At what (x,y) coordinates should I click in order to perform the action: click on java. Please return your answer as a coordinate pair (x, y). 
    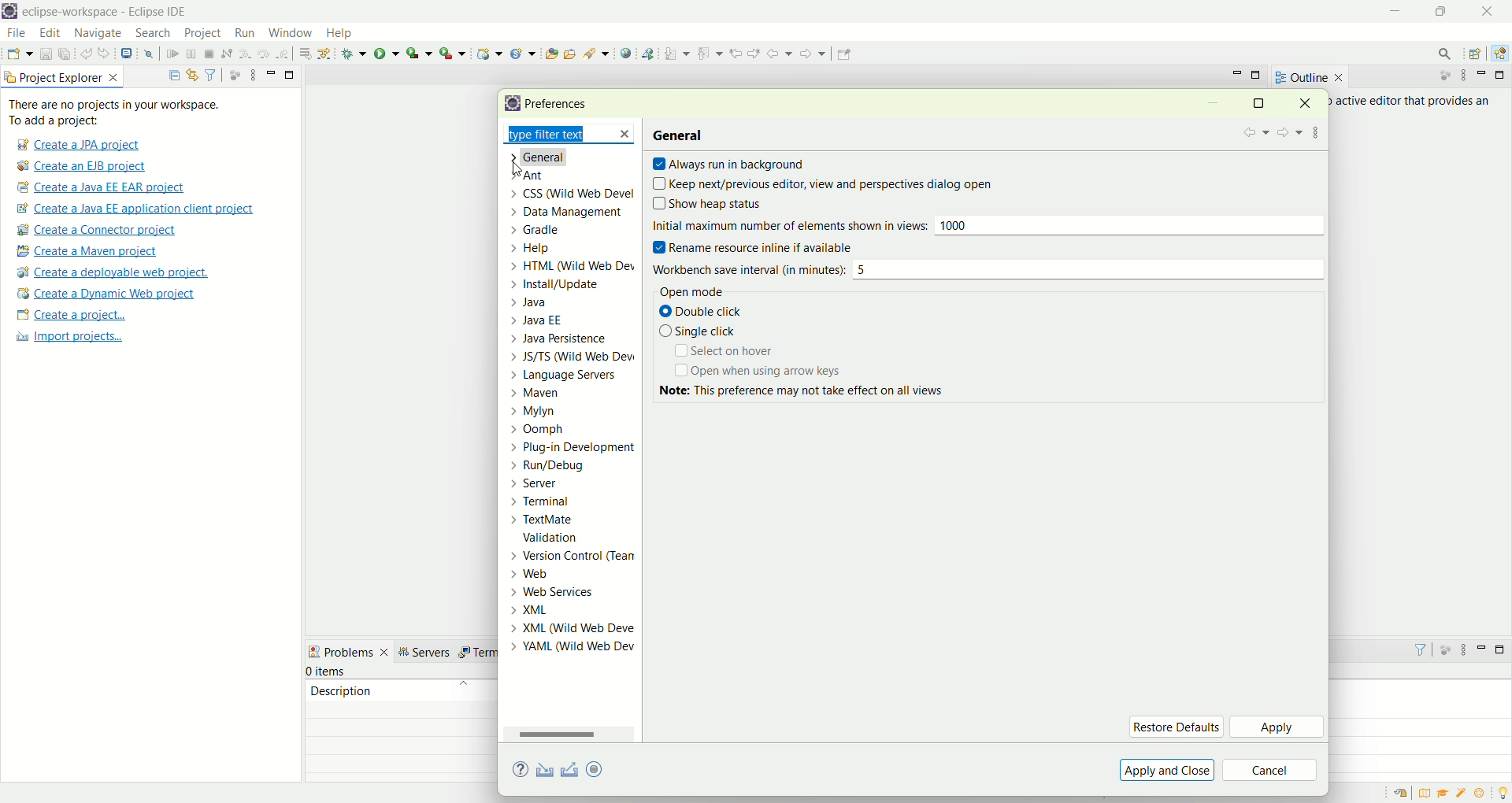
    Looking at the image, I should click on (576, 303).